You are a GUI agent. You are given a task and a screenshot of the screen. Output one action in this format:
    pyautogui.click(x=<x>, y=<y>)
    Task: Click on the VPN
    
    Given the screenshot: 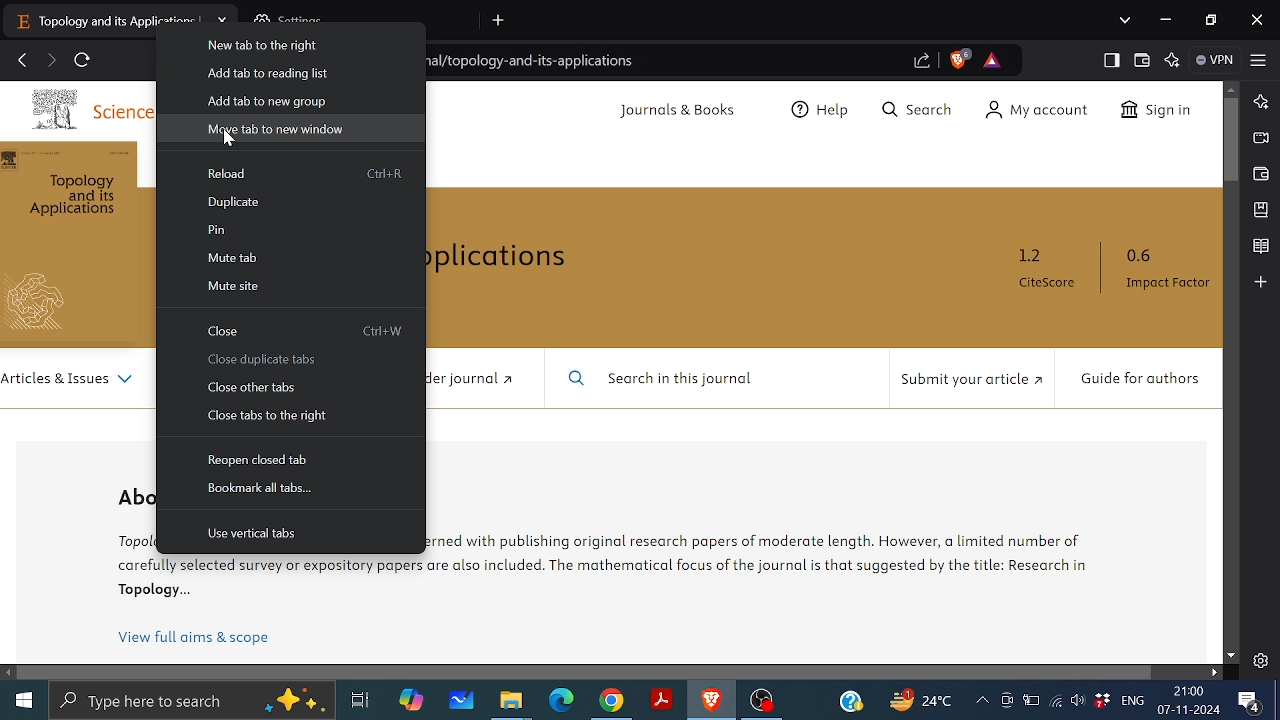 What is the action you would take?
    pyautogui.click(x=1214, y=60)
    